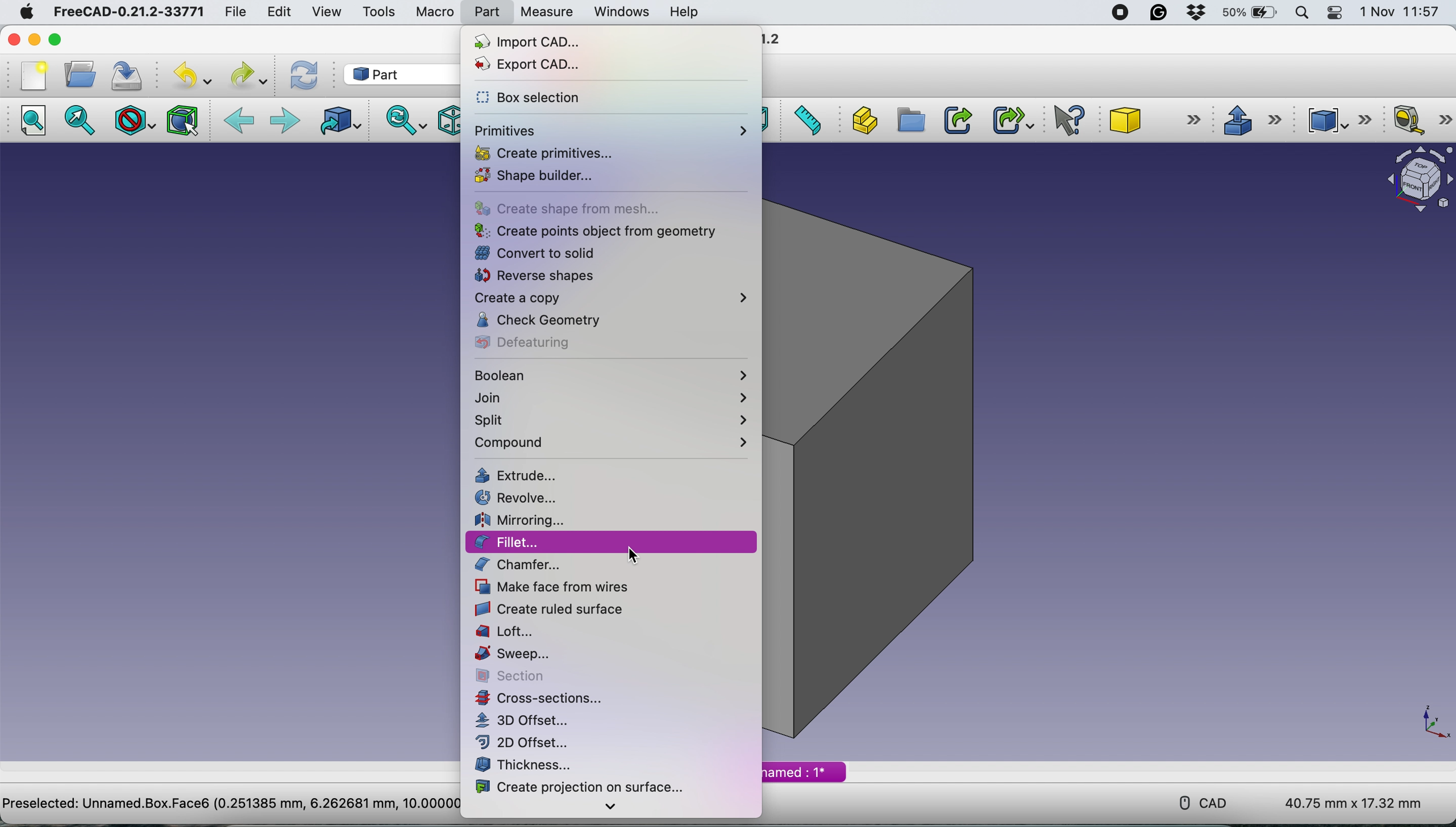  Describe the element at coordinates (611, 299) in the screenshot. I see `create a copy` at that location.